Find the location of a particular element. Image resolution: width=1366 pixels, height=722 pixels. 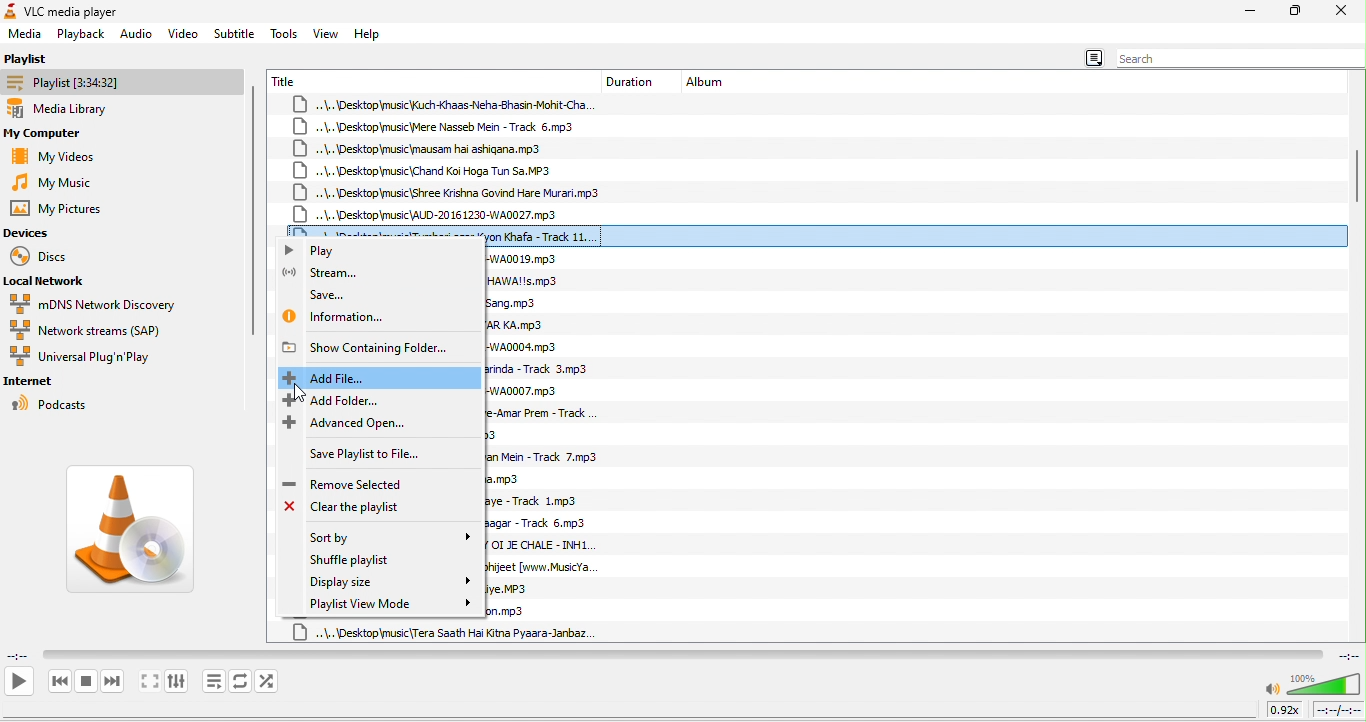

video is located at coordinates (183, 32).